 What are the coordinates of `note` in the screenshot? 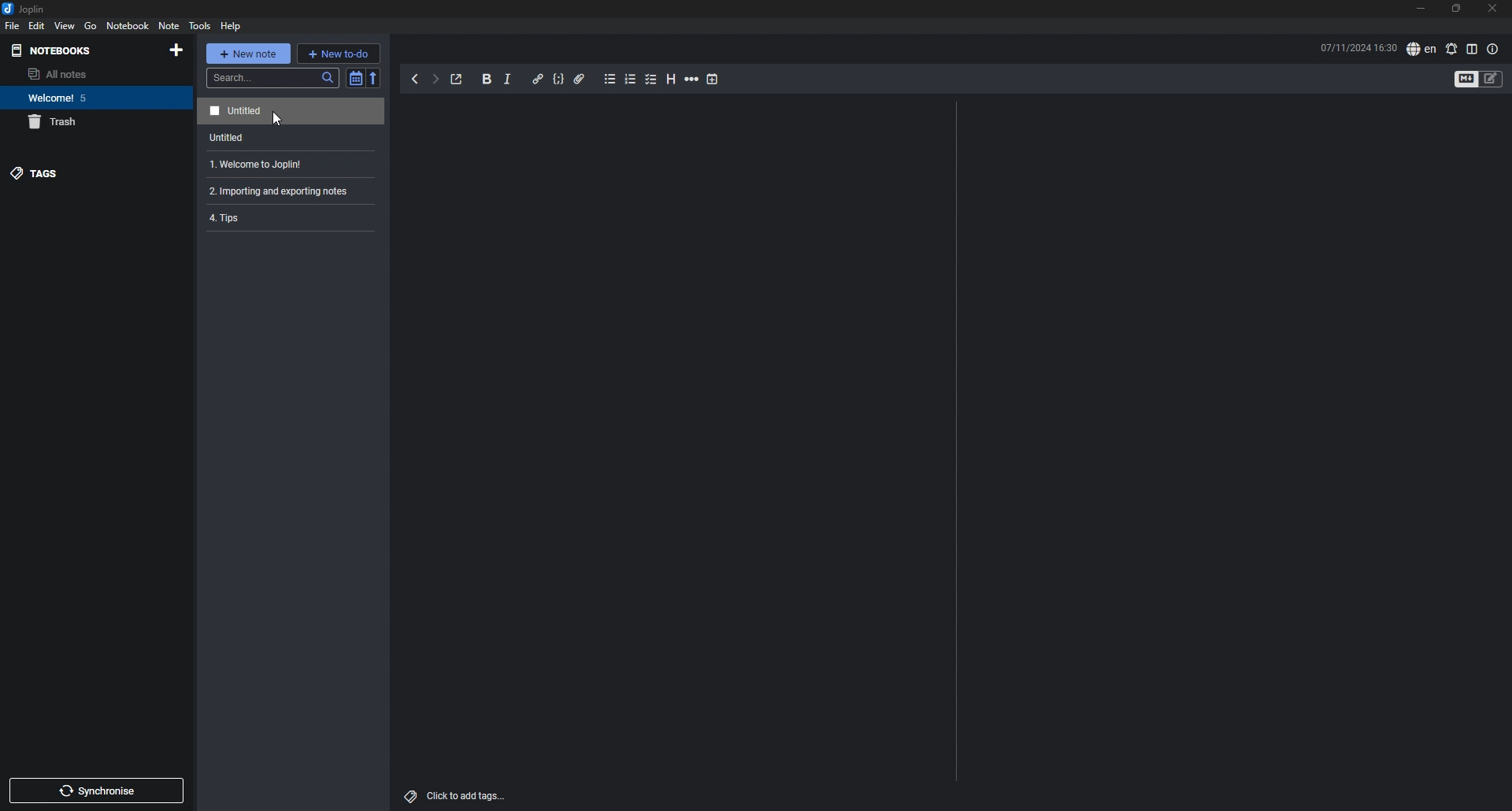 It's located at (287, 138).